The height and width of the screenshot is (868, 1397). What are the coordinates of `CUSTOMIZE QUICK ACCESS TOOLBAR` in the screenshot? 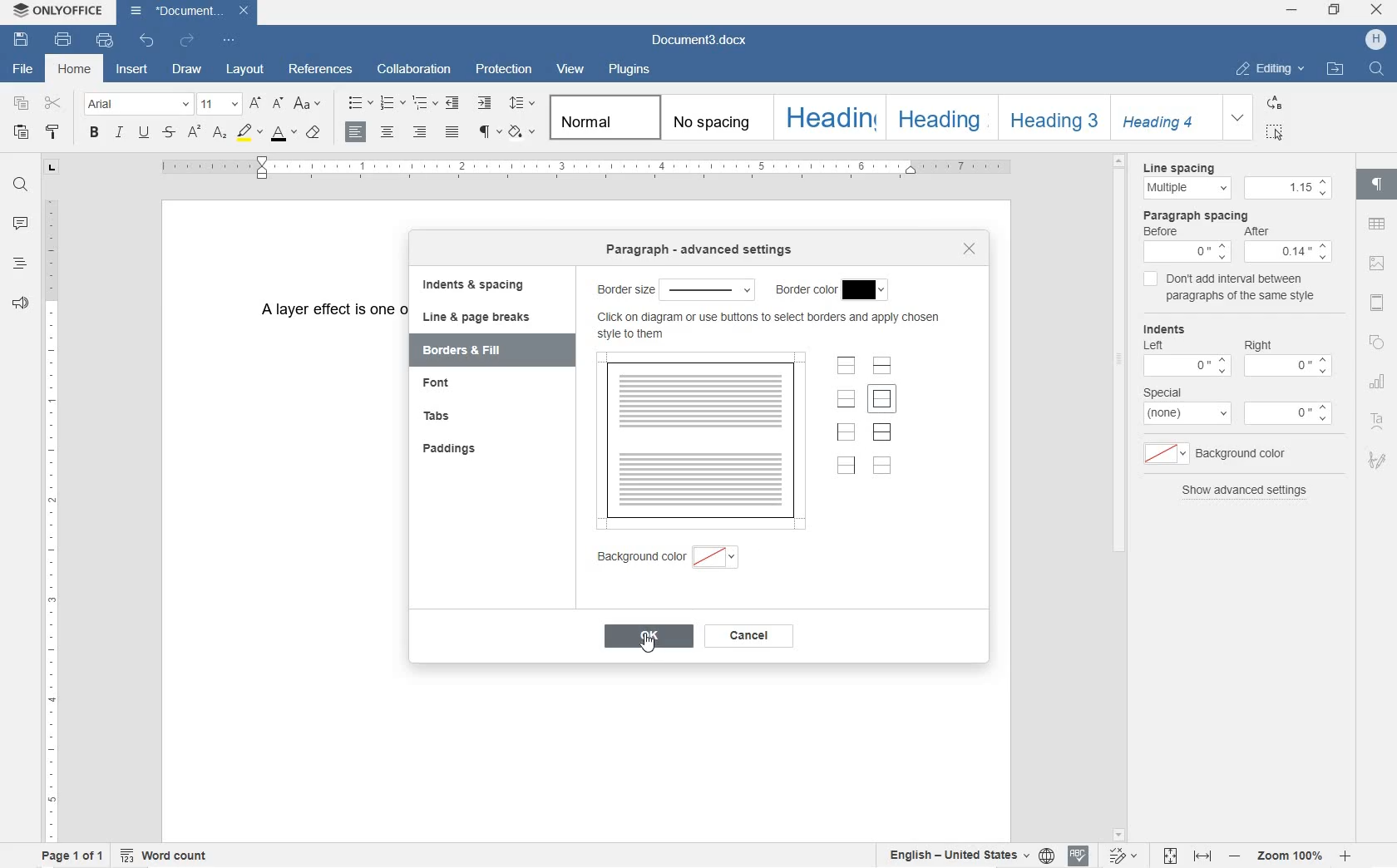 It's located at (230, 42).